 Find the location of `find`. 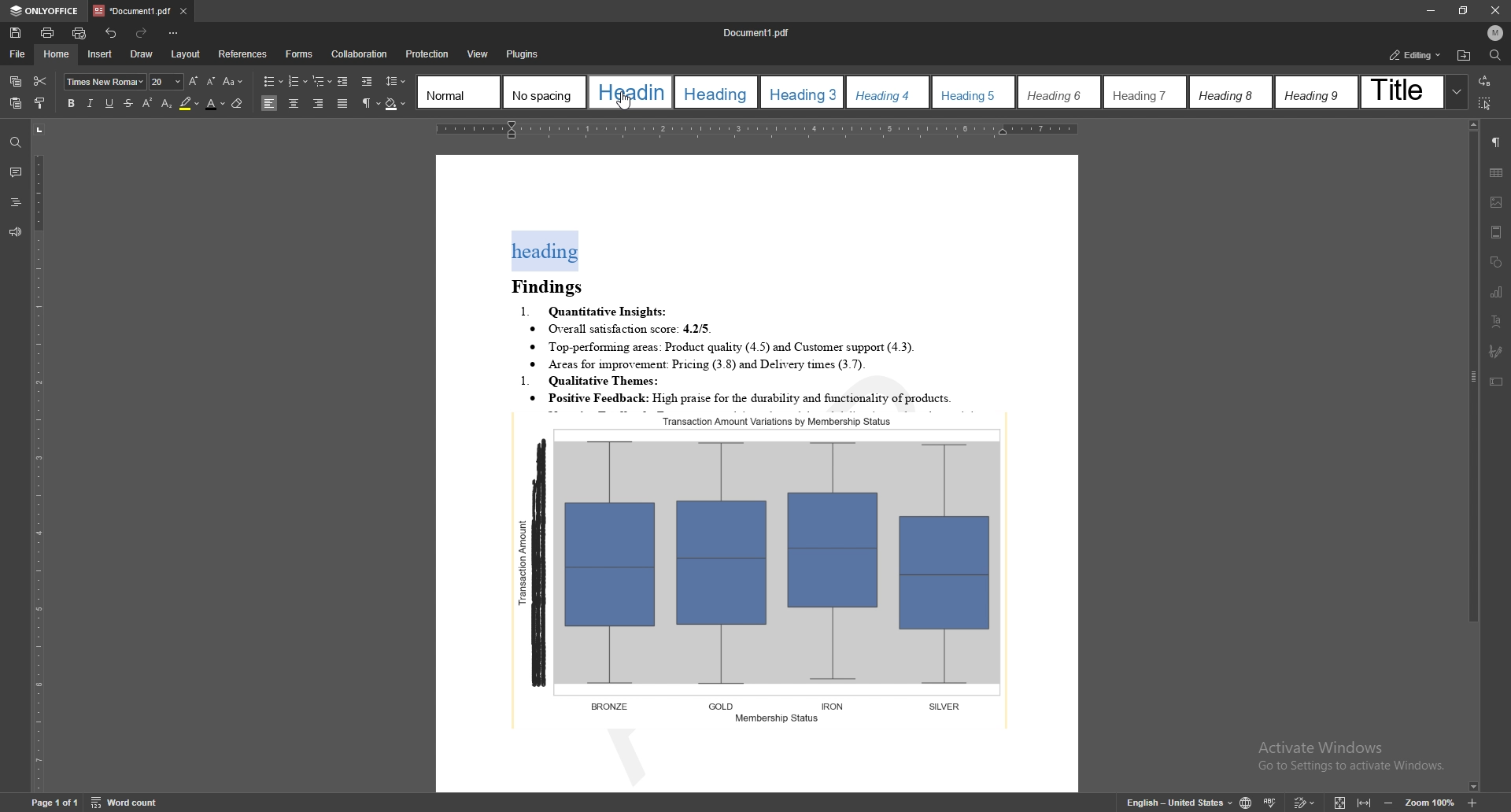

find is located at coordinates (14, 143).